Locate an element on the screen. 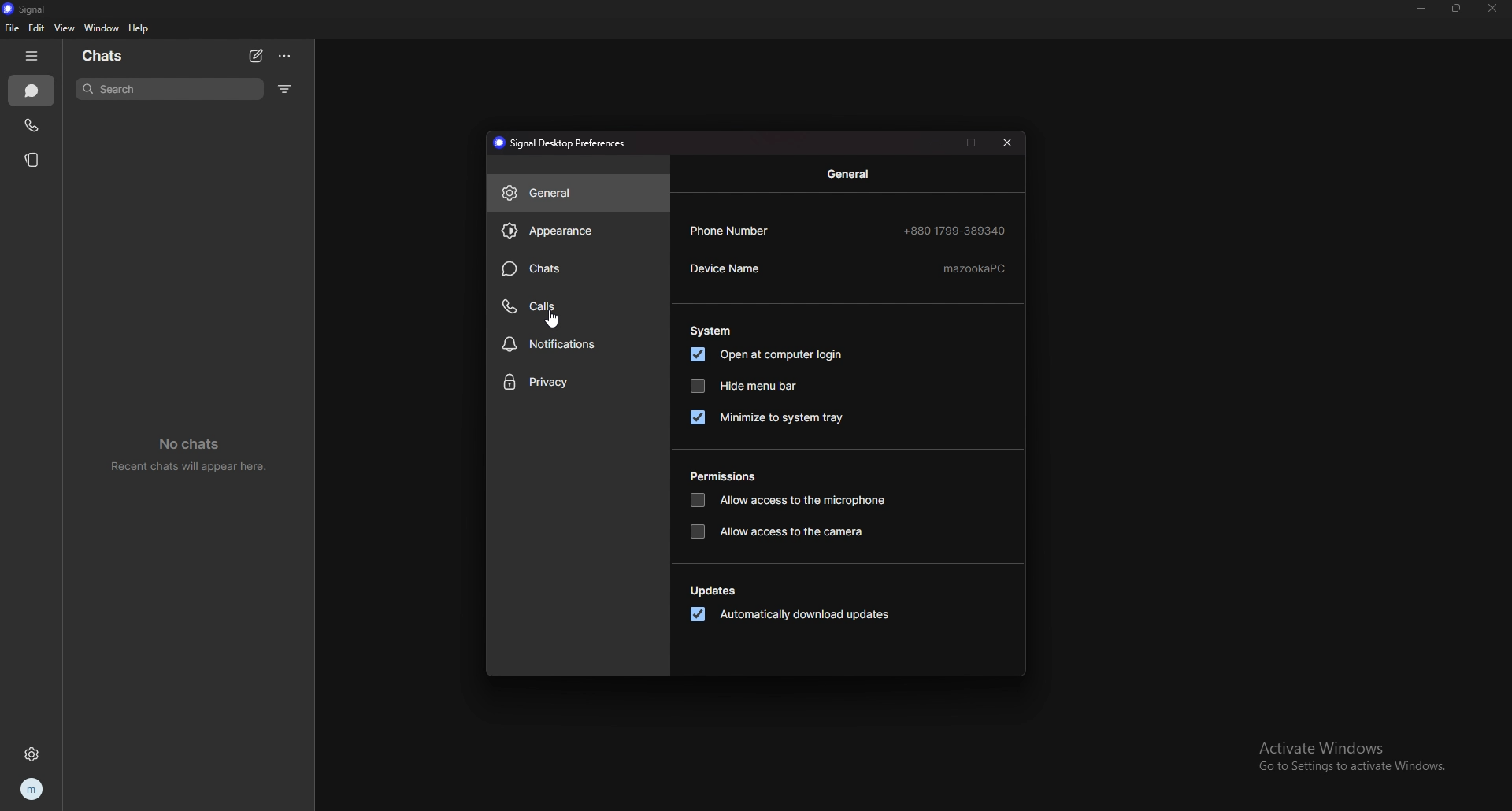 The height and width of the screenshot is (811, 1512). chats is located at coordinates (113, 54).